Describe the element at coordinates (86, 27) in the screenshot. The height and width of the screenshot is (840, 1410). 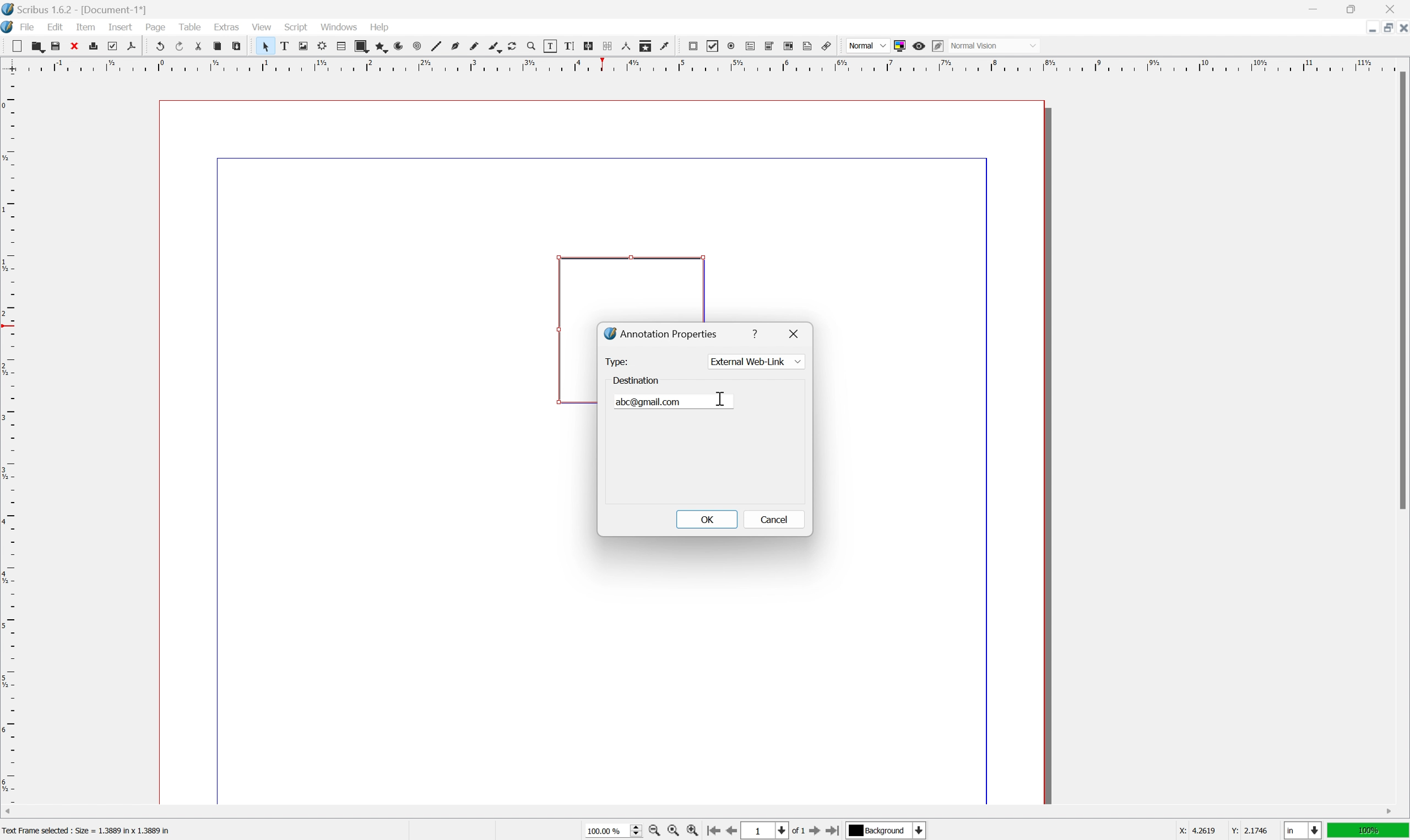
I see `item` at that location.